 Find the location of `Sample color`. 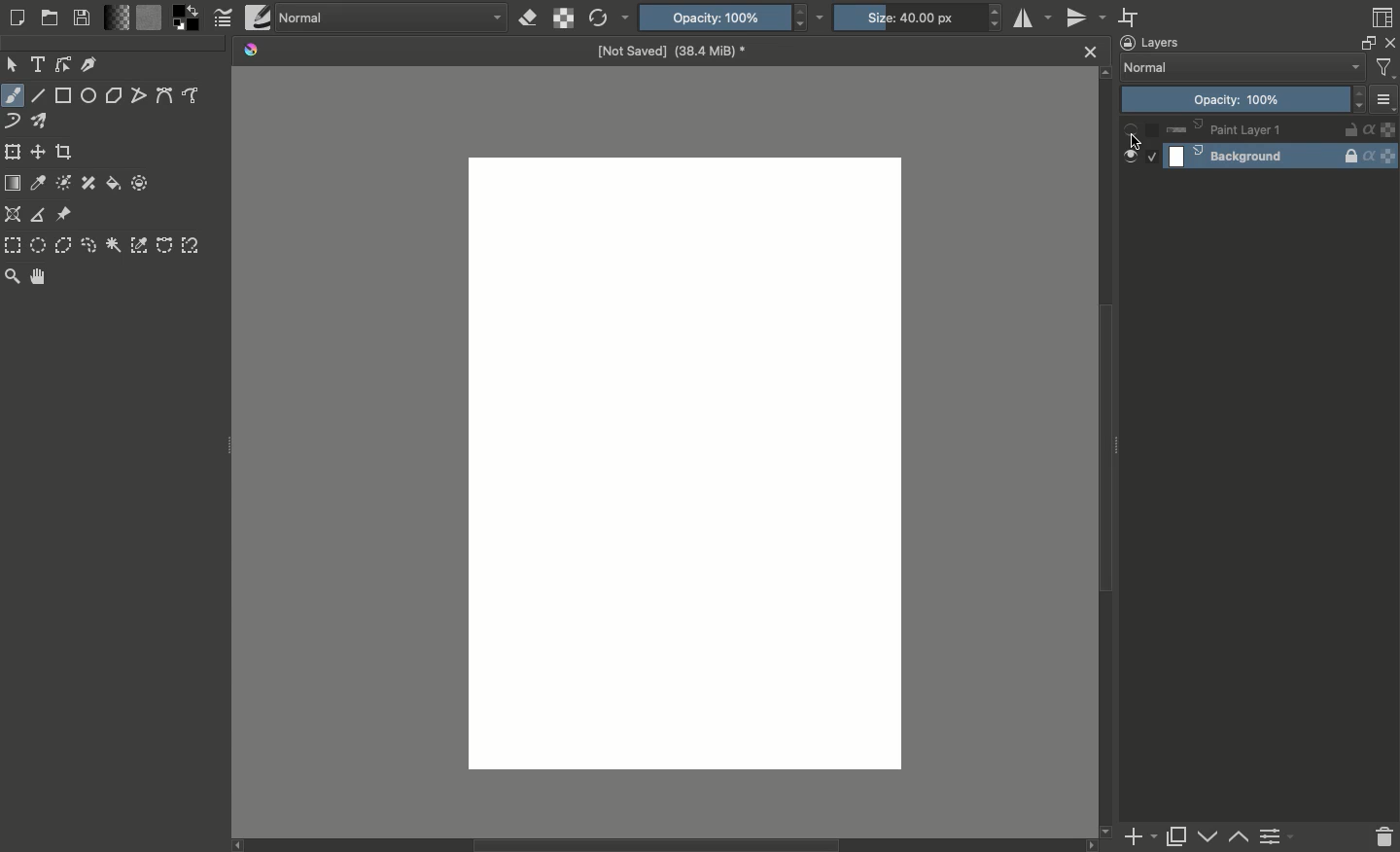

Sample color is located at coordinates (40, 186).